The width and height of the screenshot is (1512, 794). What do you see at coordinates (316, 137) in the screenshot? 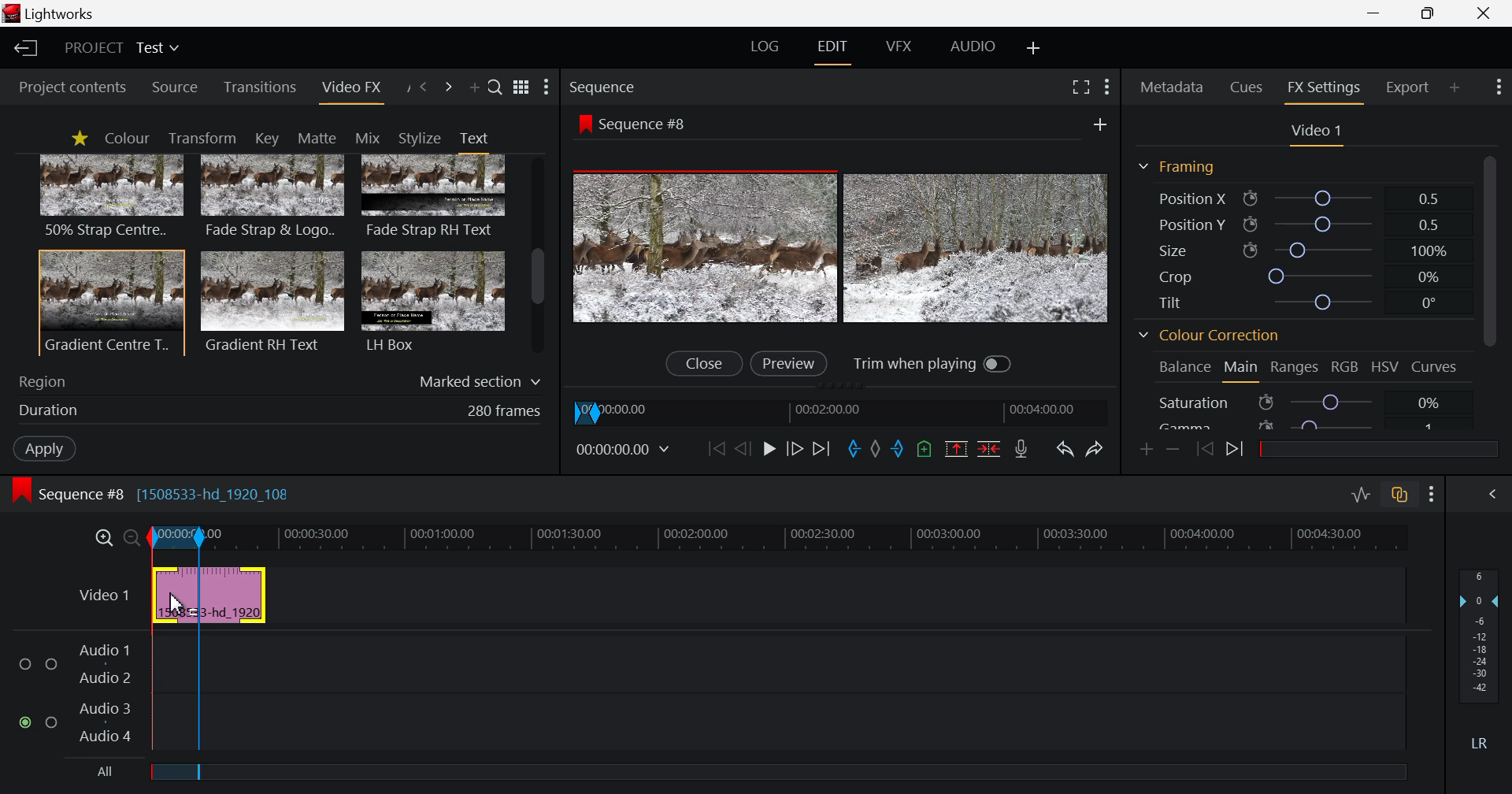
I see `Matte` at bounding box center [316, 137].